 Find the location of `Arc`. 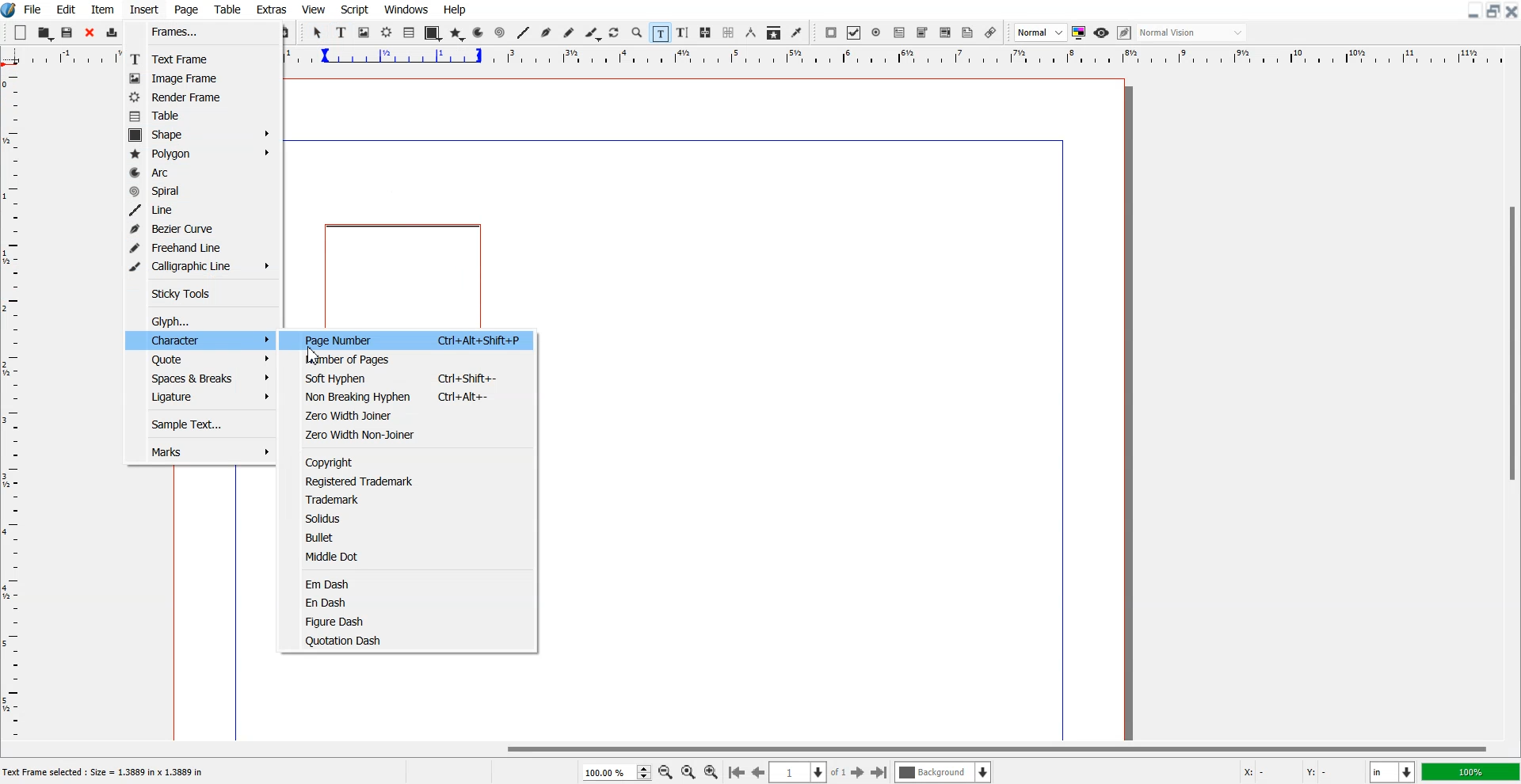

Arc is located at coordinates (479, 32).